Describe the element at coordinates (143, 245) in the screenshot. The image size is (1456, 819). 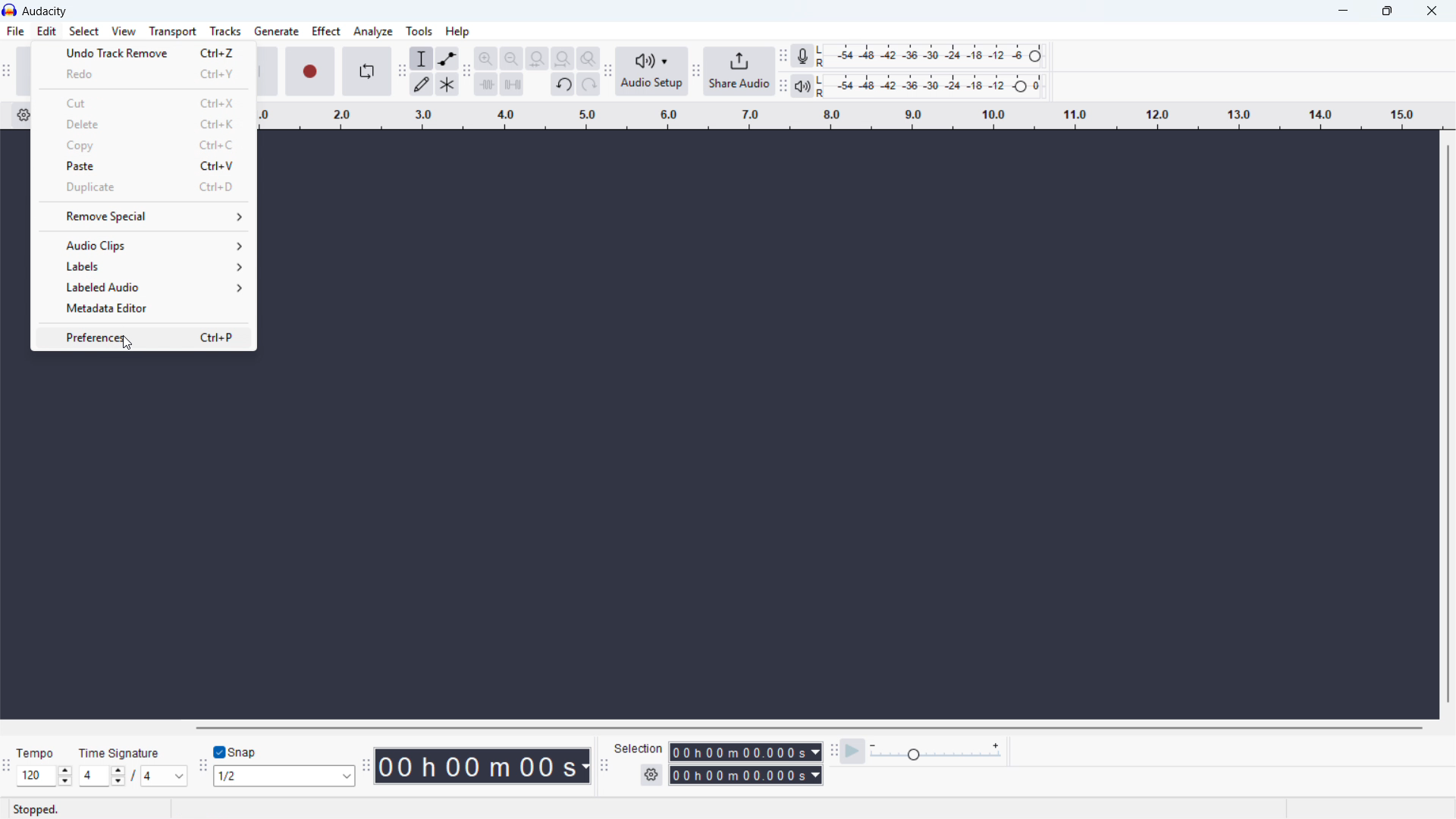
I see `audio clips` at that location.